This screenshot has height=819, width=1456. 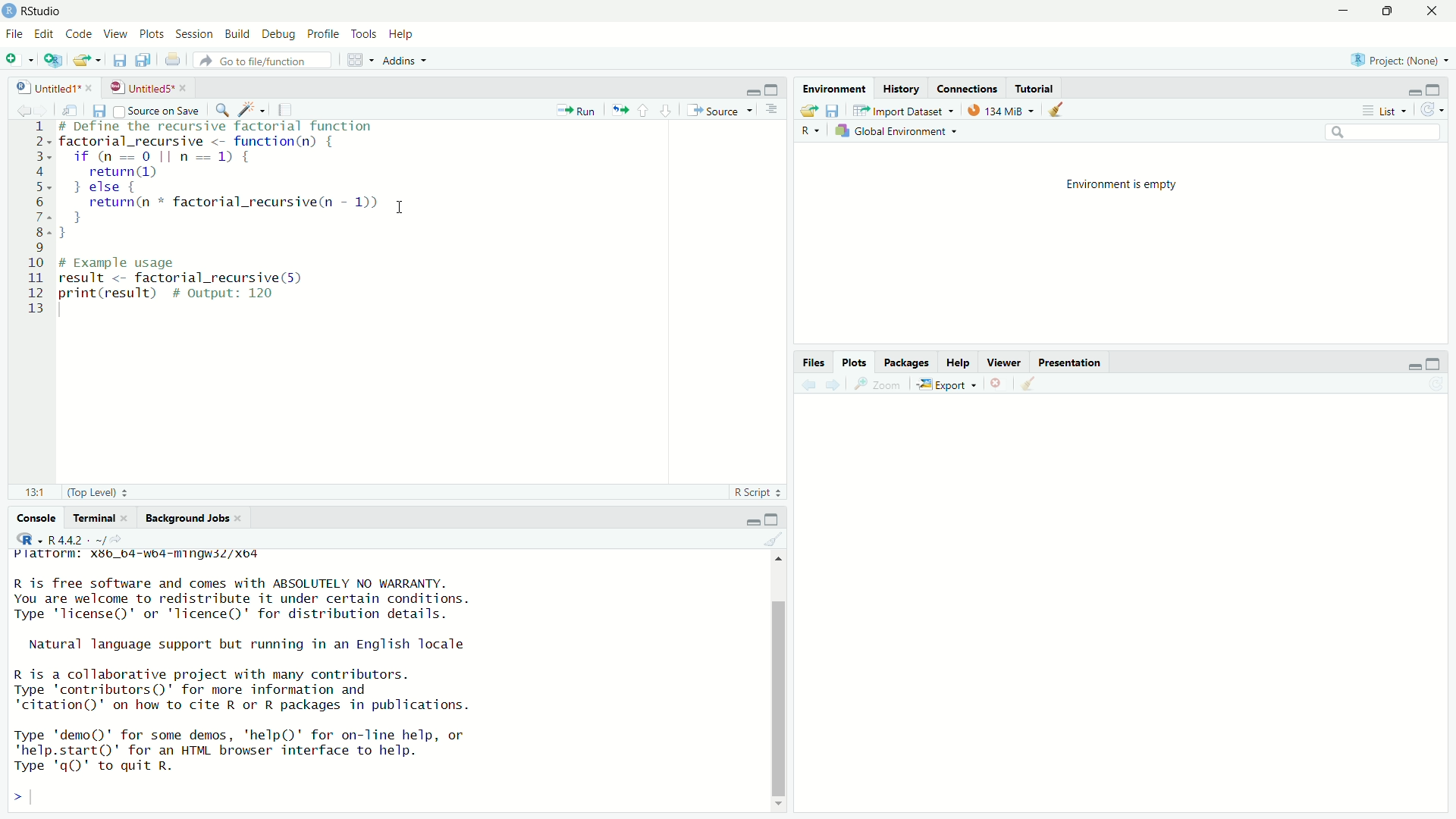 What do you see at coordinates (268, 61) in the screenshot?
I see `Go to file/function` at bounding box center [268, 61].